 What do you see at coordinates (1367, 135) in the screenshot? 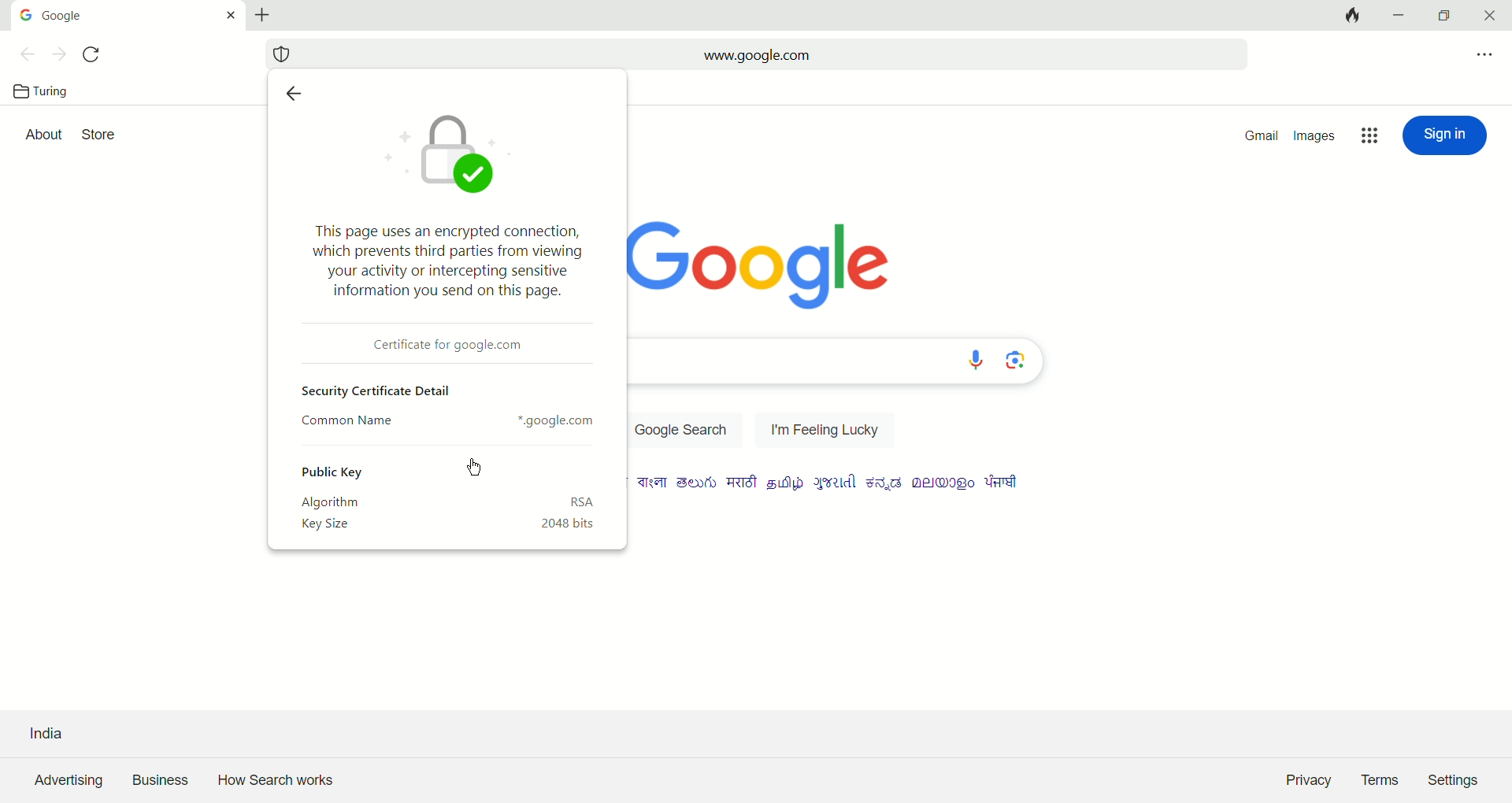
I see `google apps` at bounding box center [1367, 135].